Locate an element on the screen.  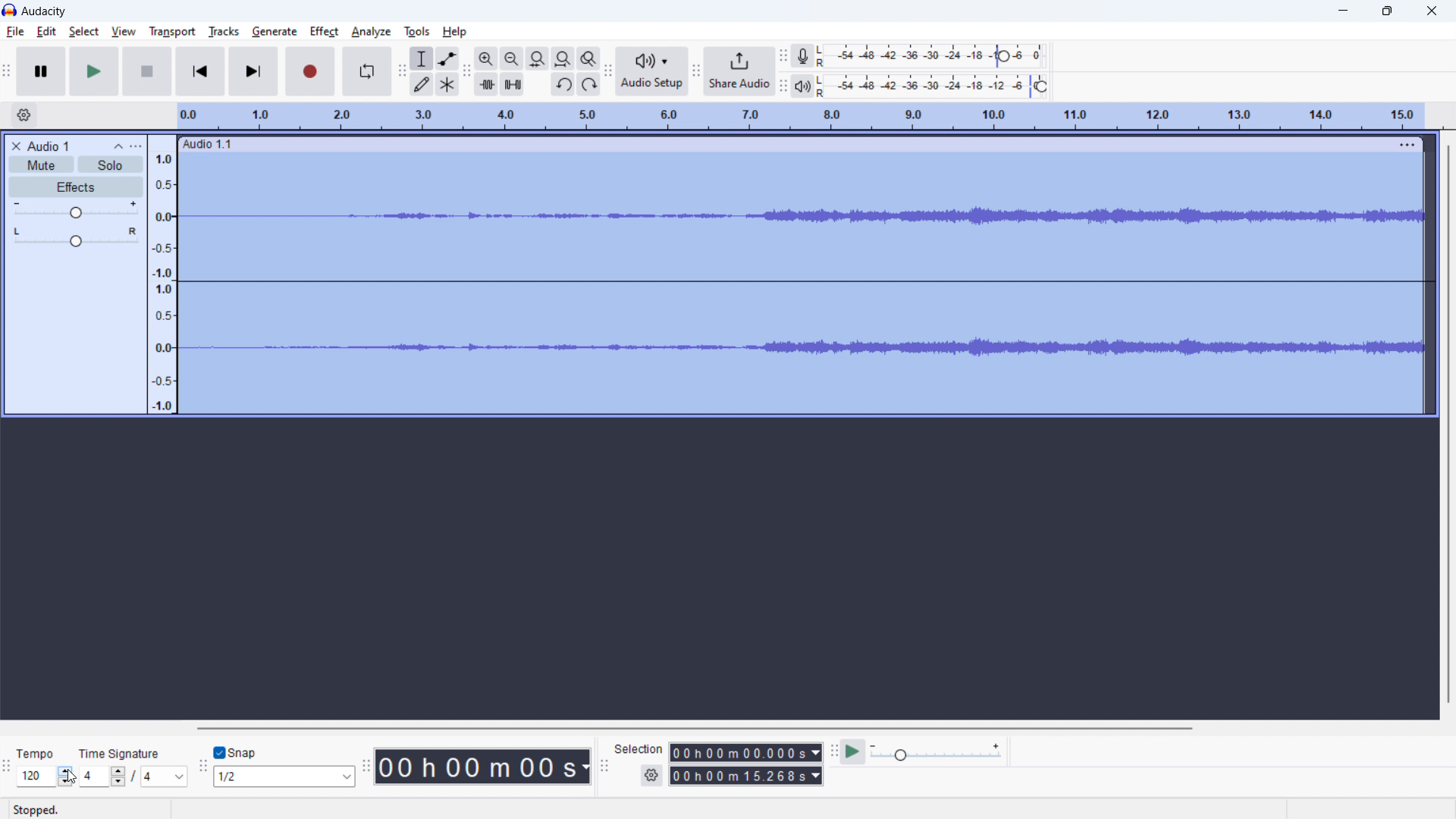
record is located at coordinates (310, 71).